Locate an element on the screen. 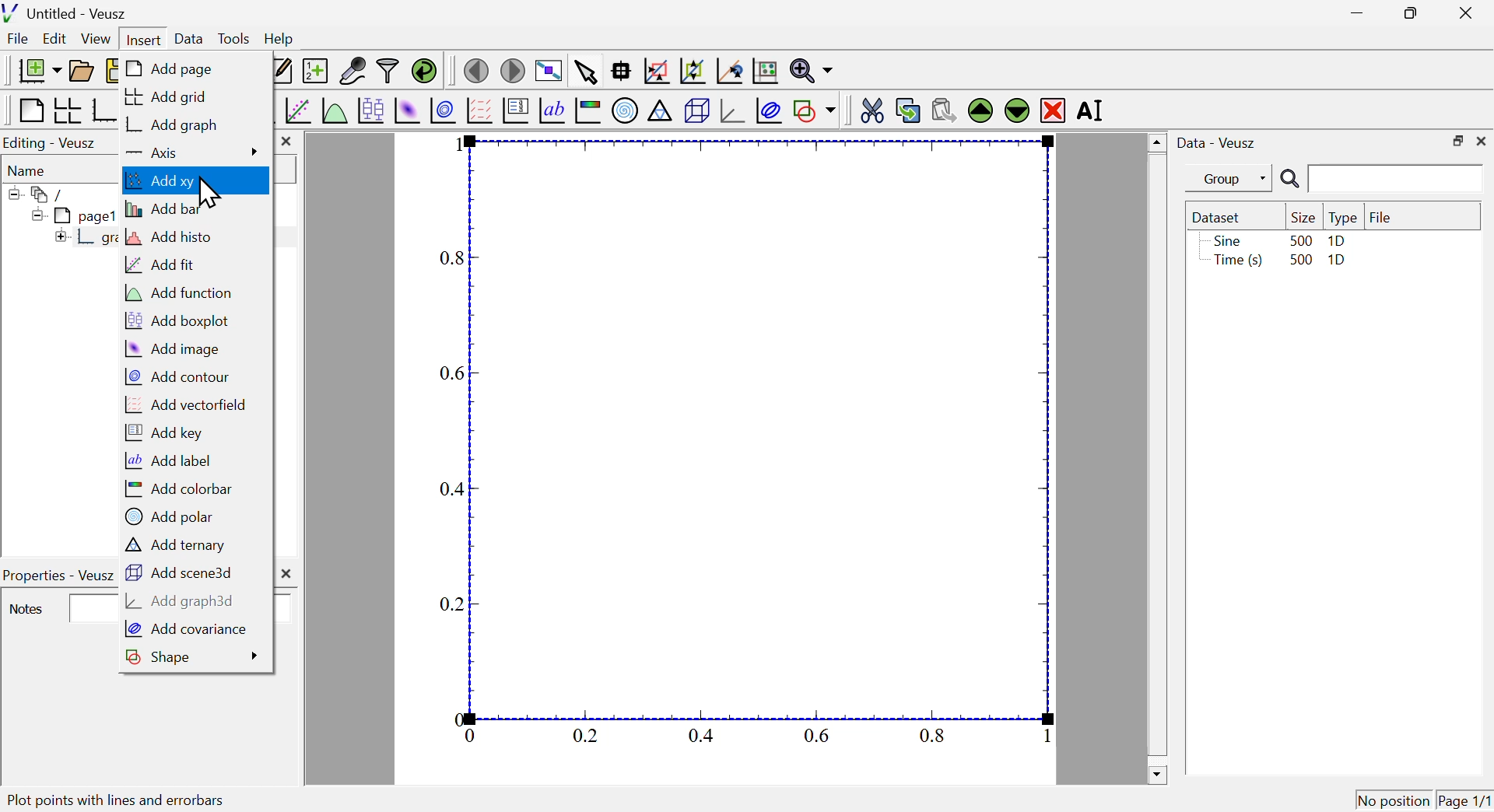 This screenshot has width=1494, height=812. plot a function is located at coordinates (334, 110).